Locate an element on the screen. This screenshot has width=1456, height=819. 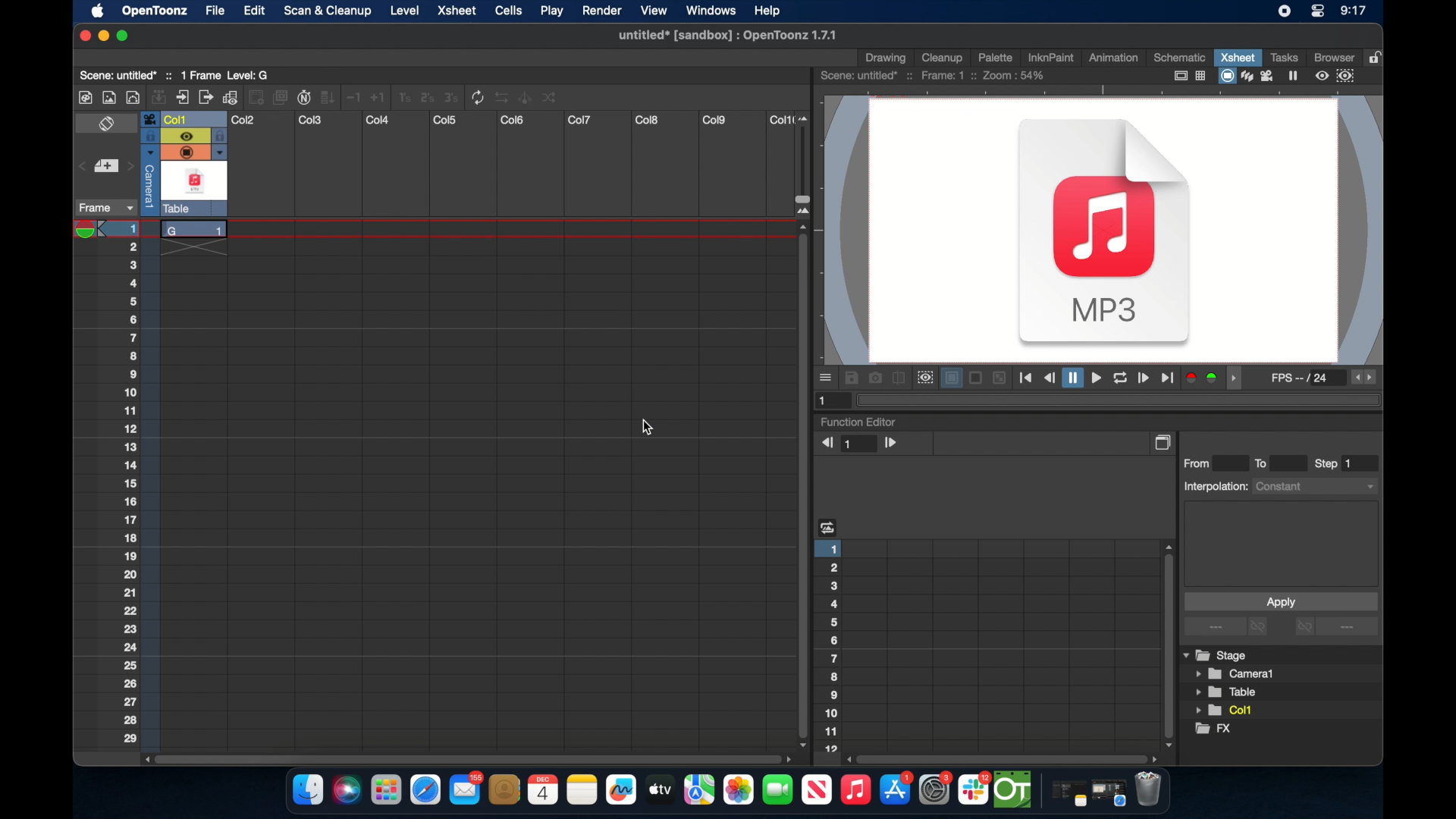
col1 is located at coordinates (1228, 710).